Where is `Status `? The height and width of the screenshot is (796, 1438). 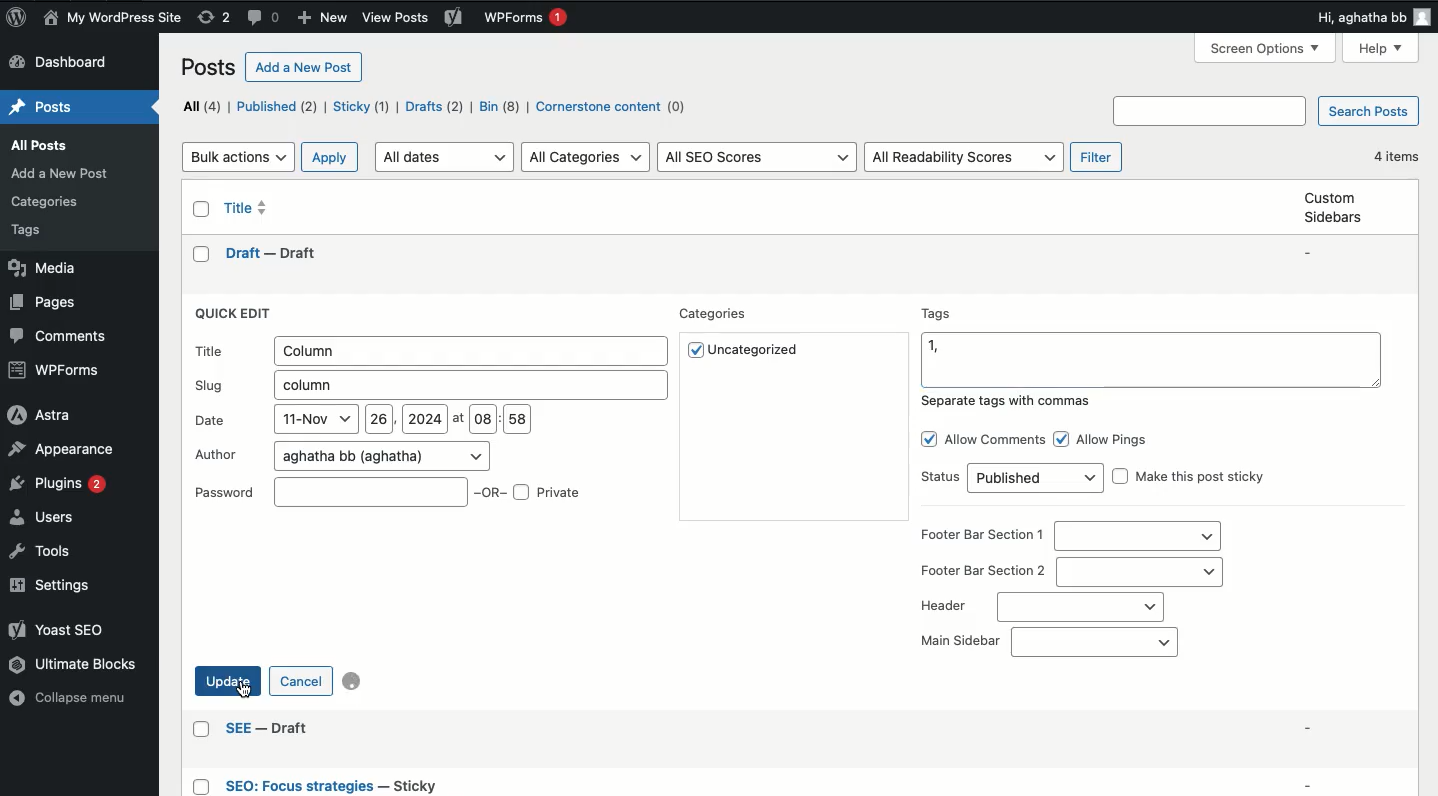 Status  is located at coordinates (1012, 480).